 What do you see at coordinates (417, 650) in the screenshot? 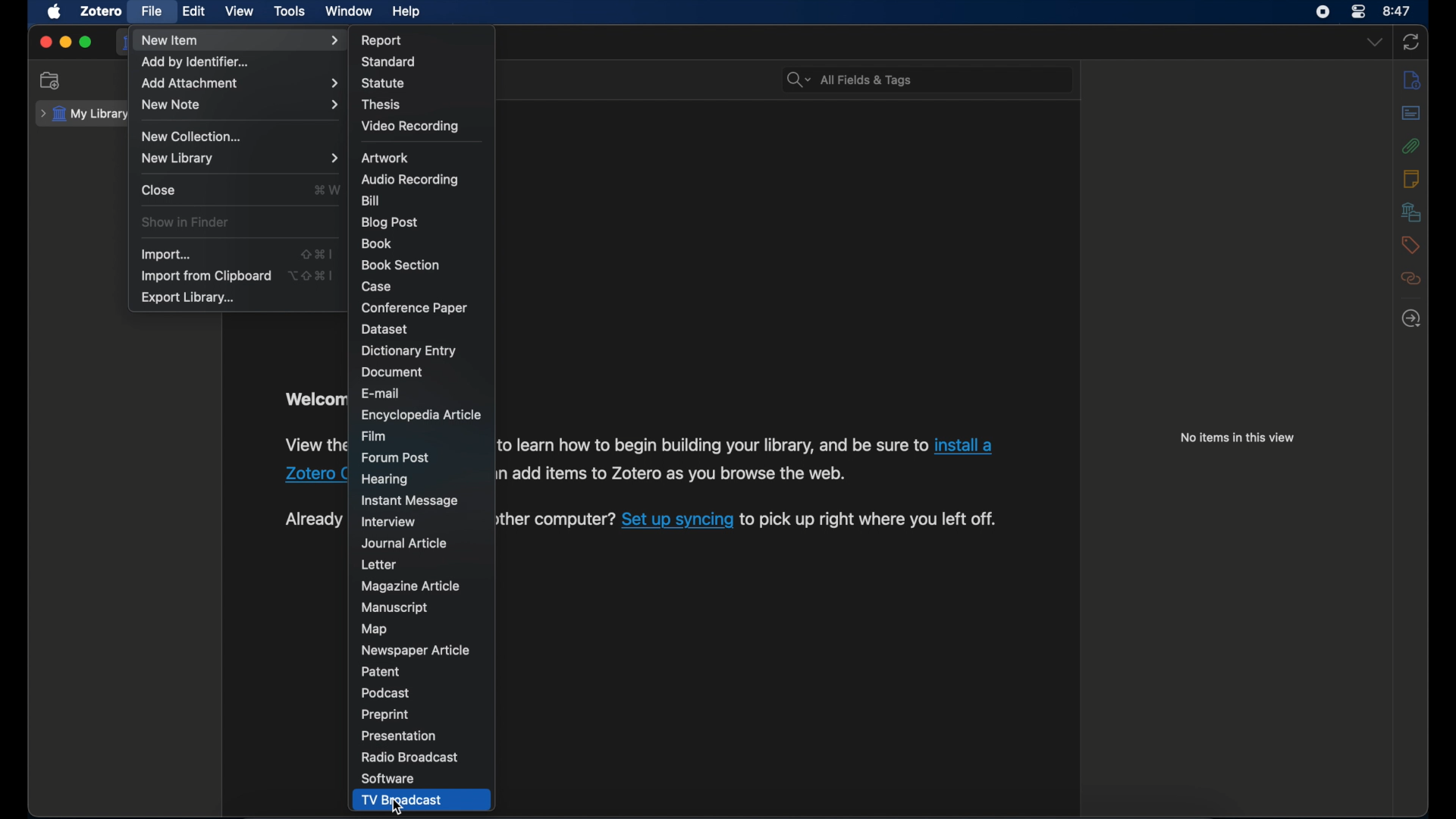
I see `newspaper article` at bounding box center [417, 650].